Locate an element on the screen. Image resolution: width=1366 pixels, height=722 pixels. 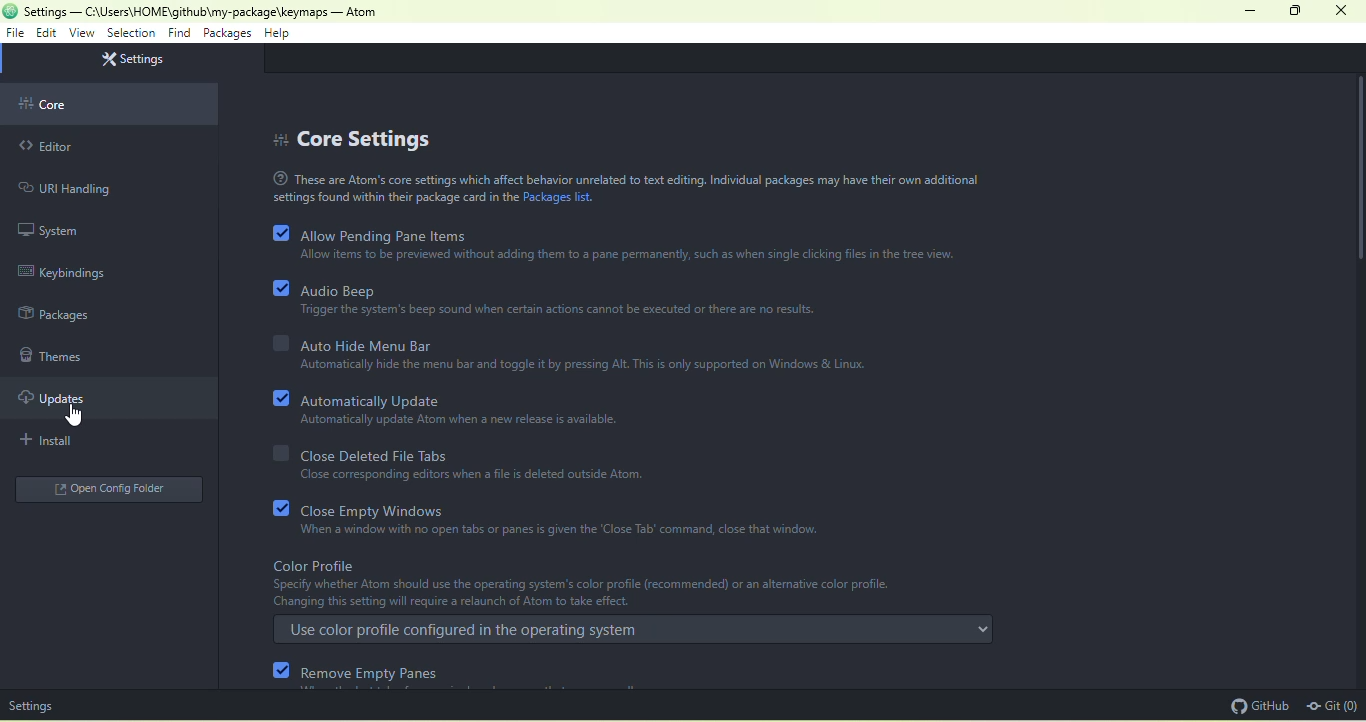
help is located at coordinates (280, 35).